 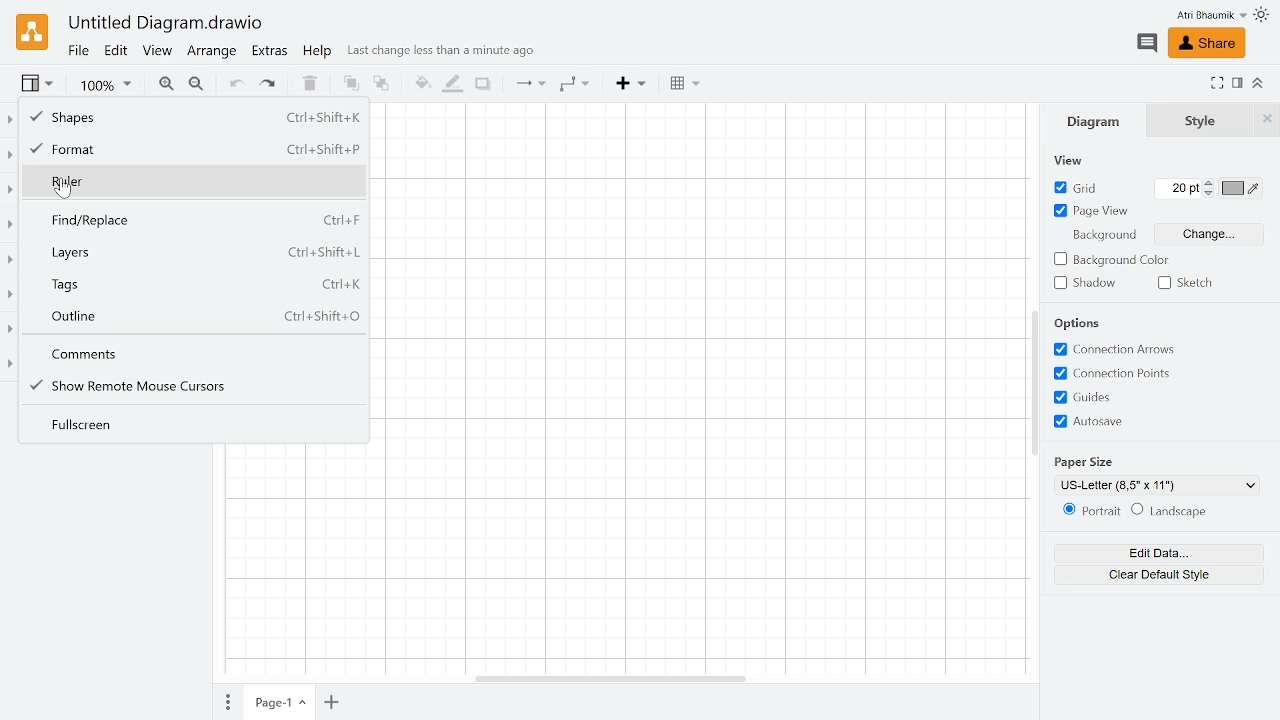 What do you see at coordinates (574, 85) in the screenshot?
I see `Waypoints` at bounding box center [574, 85].